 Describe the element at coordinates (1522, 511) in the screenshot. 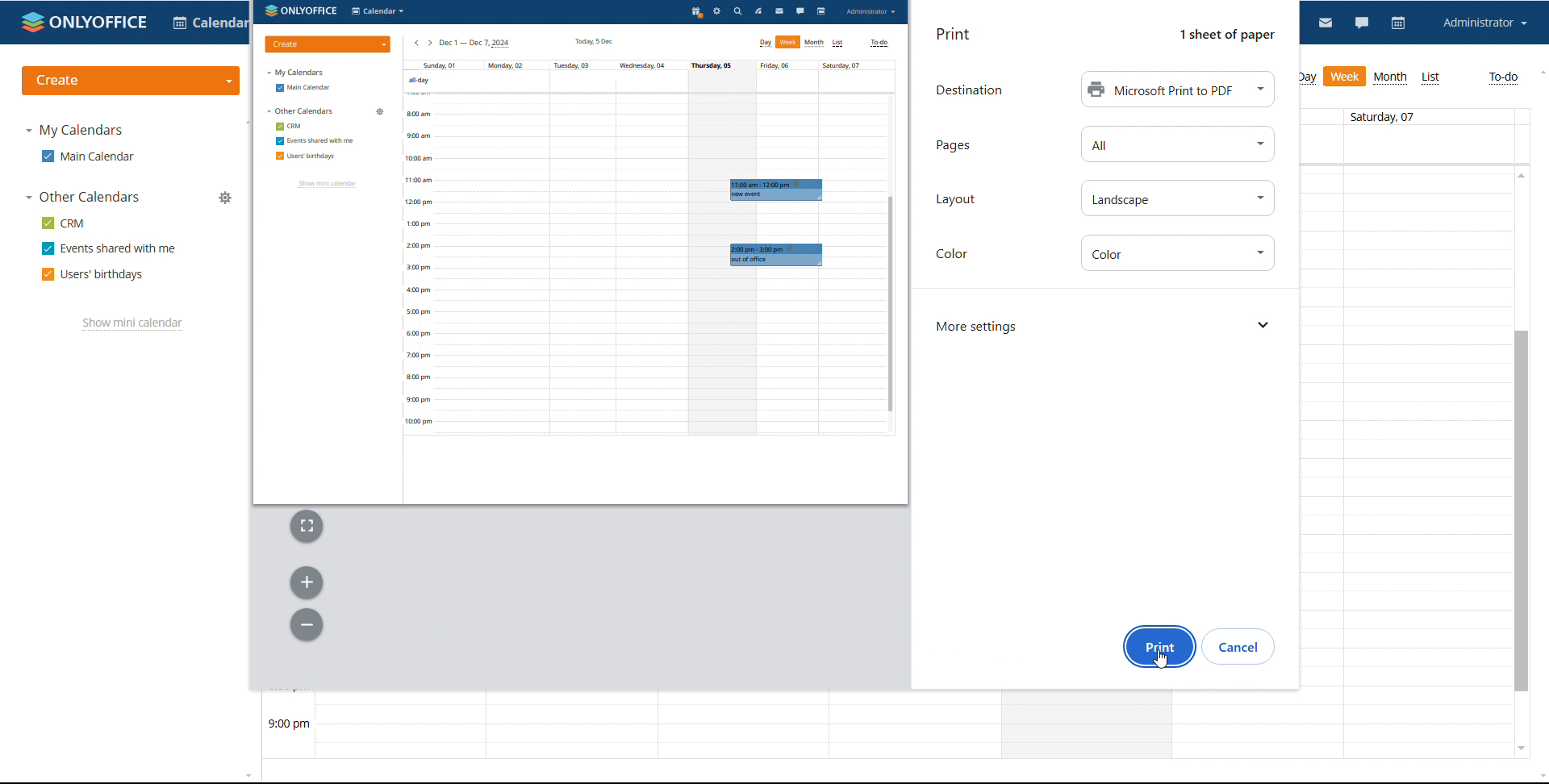

I see `scrollbar` at that location.